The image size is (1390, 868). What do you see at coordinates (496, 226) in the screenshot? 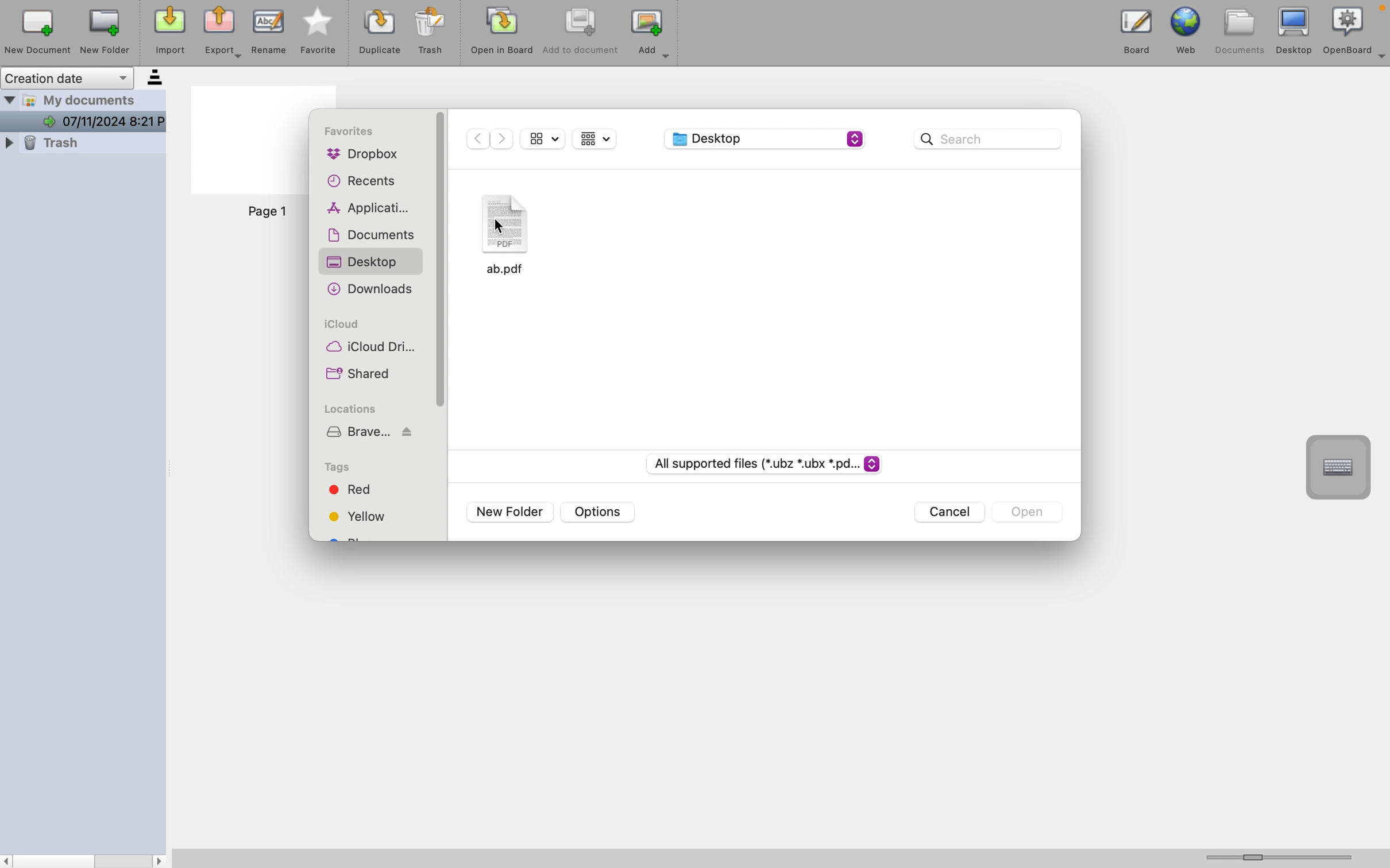
I see `cursor` at bounding box center [496, 226].